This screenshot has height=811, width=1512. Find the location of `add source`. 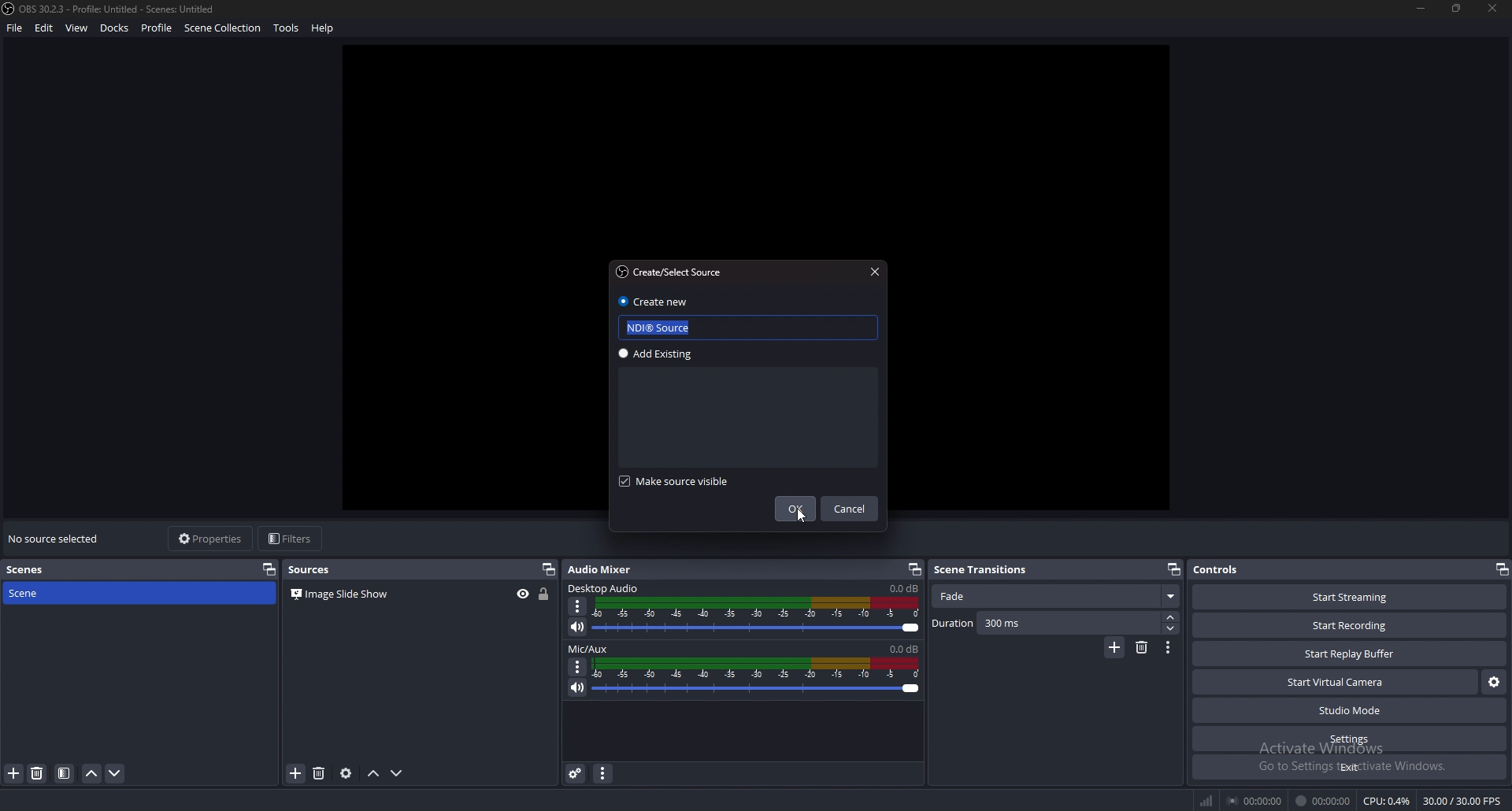

add source is located at coordinates (296, 772).